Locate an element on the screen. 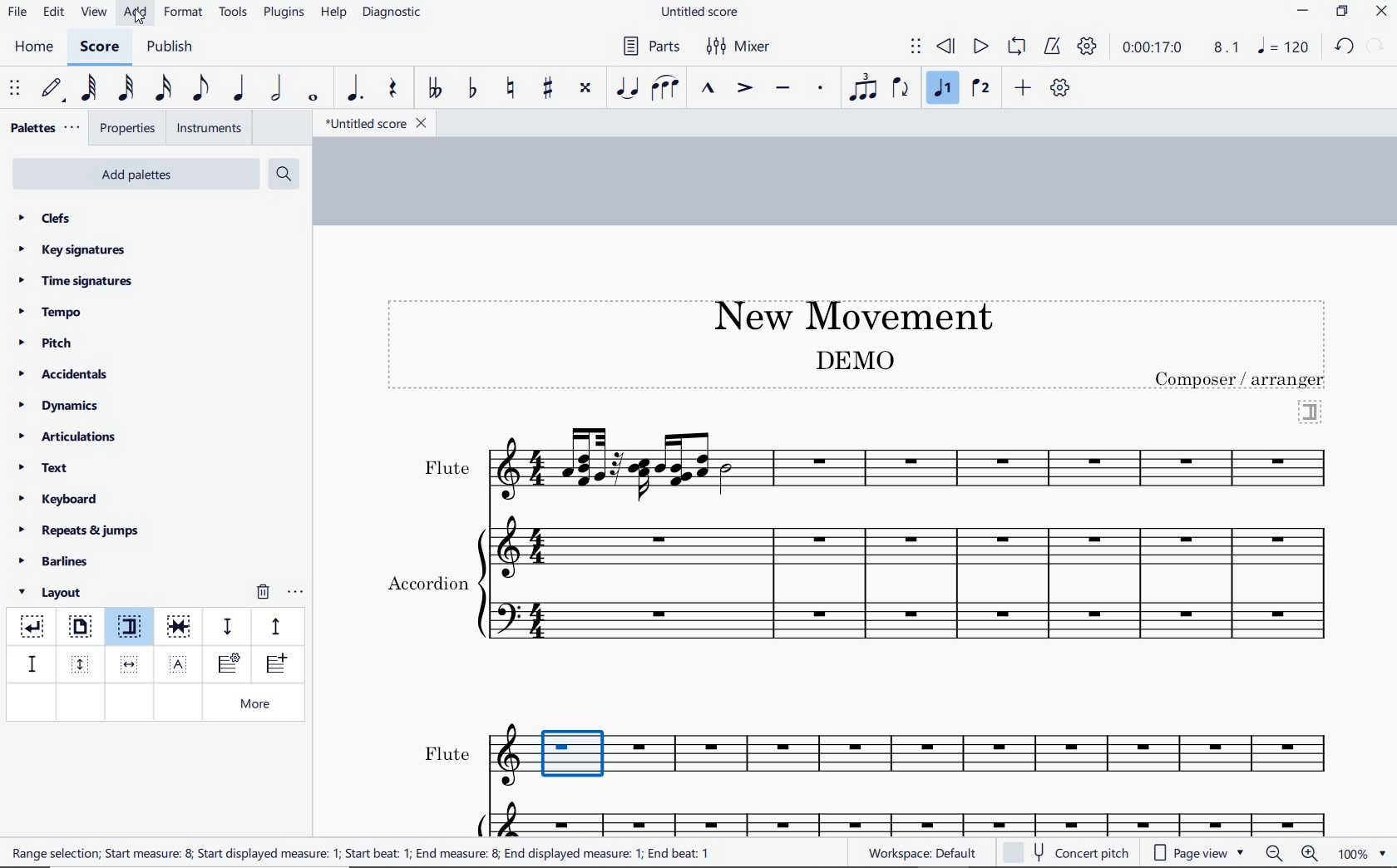  select to move is located at coordinates (916, 47).